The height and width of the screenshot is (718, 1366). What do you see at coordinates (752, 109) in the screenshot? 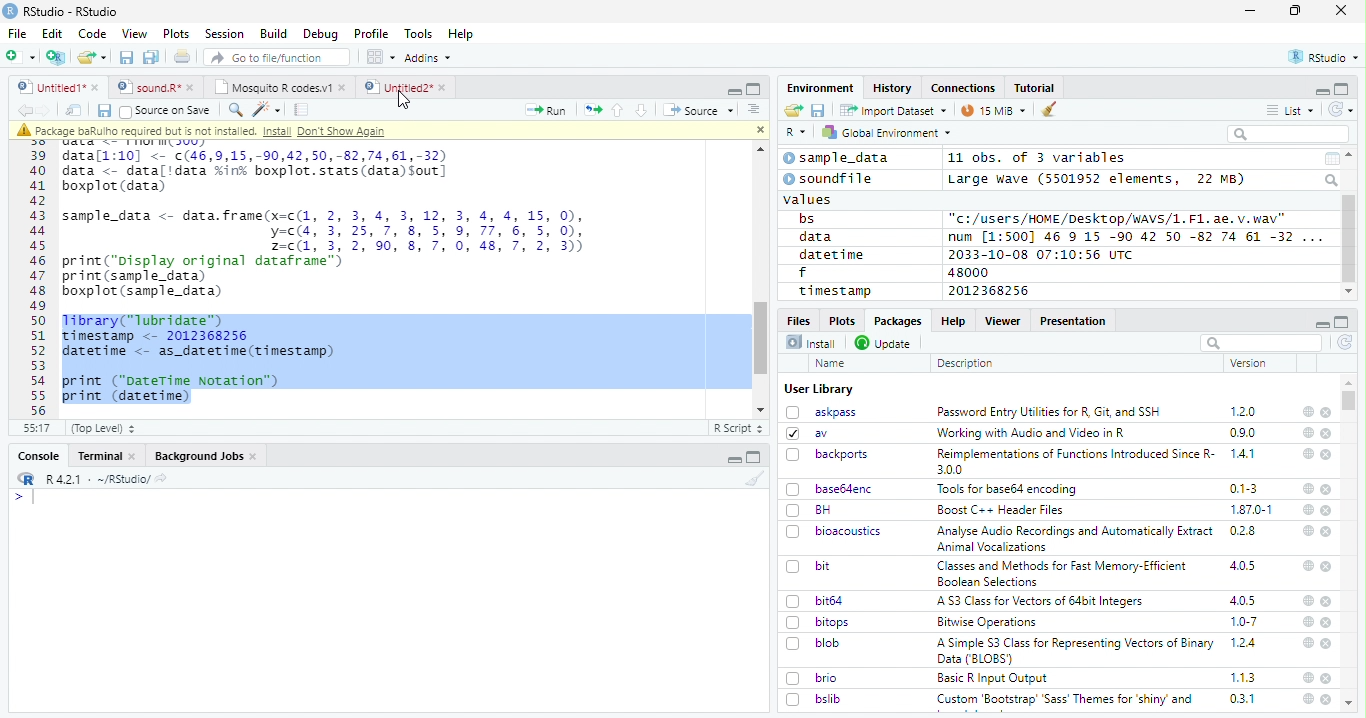
I see `Show document outline` at bounding box center [752, 109].